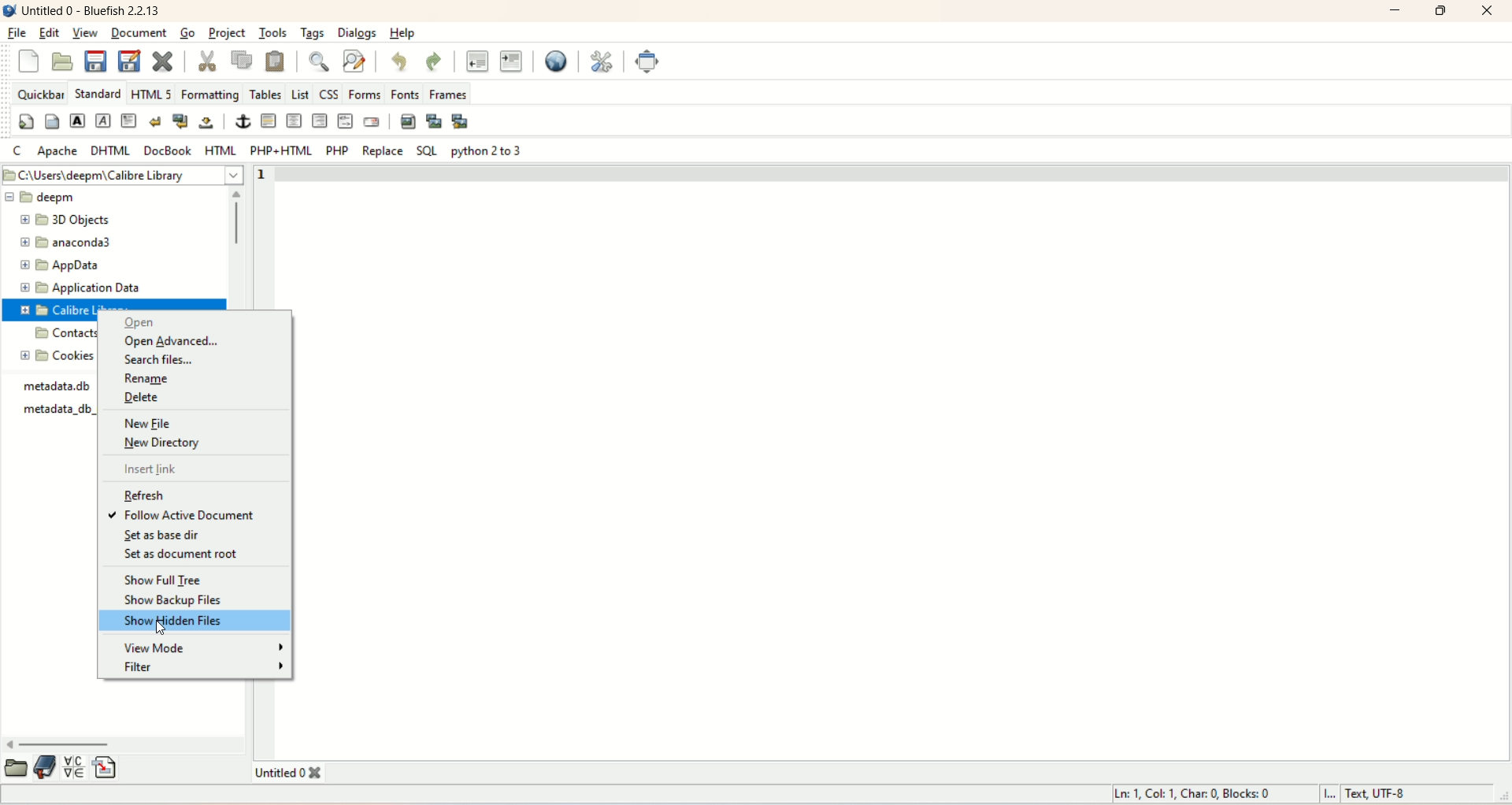  I want to click on location, so click(124, 175).